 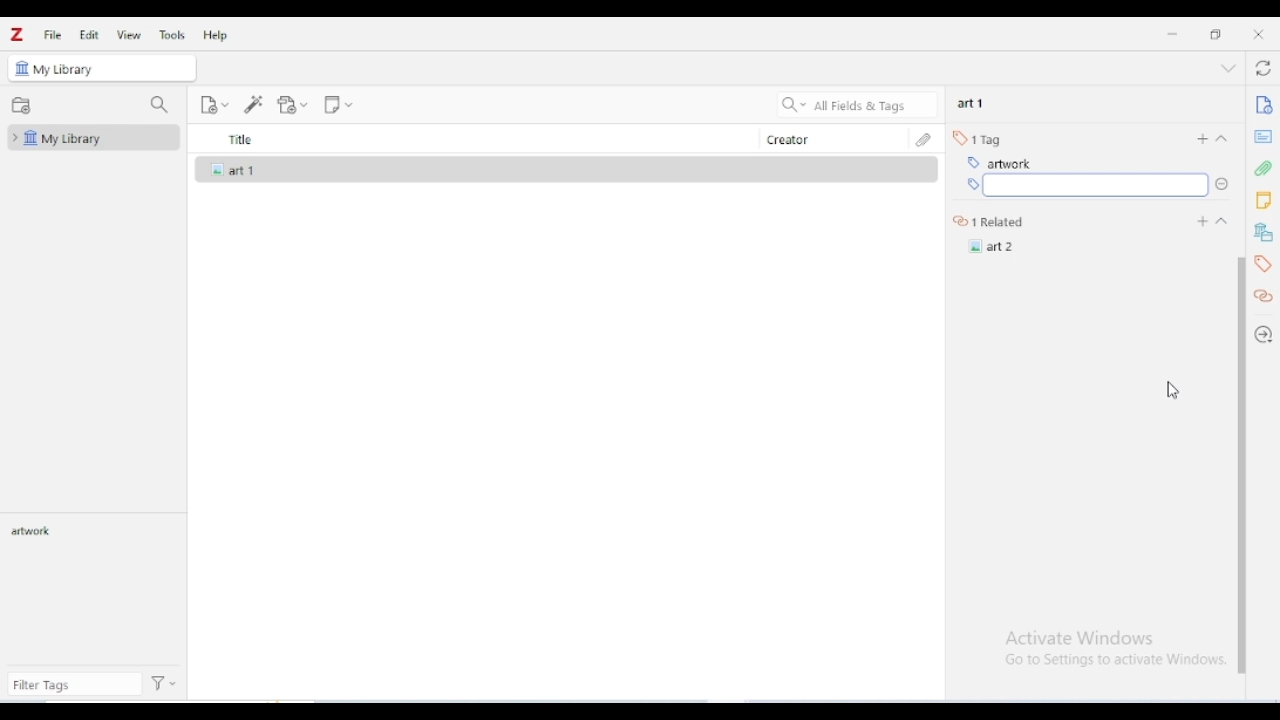 What do you see at coordinates (214, 105) in the screenshot?
I see `new item` at bounding box center [214, 105].